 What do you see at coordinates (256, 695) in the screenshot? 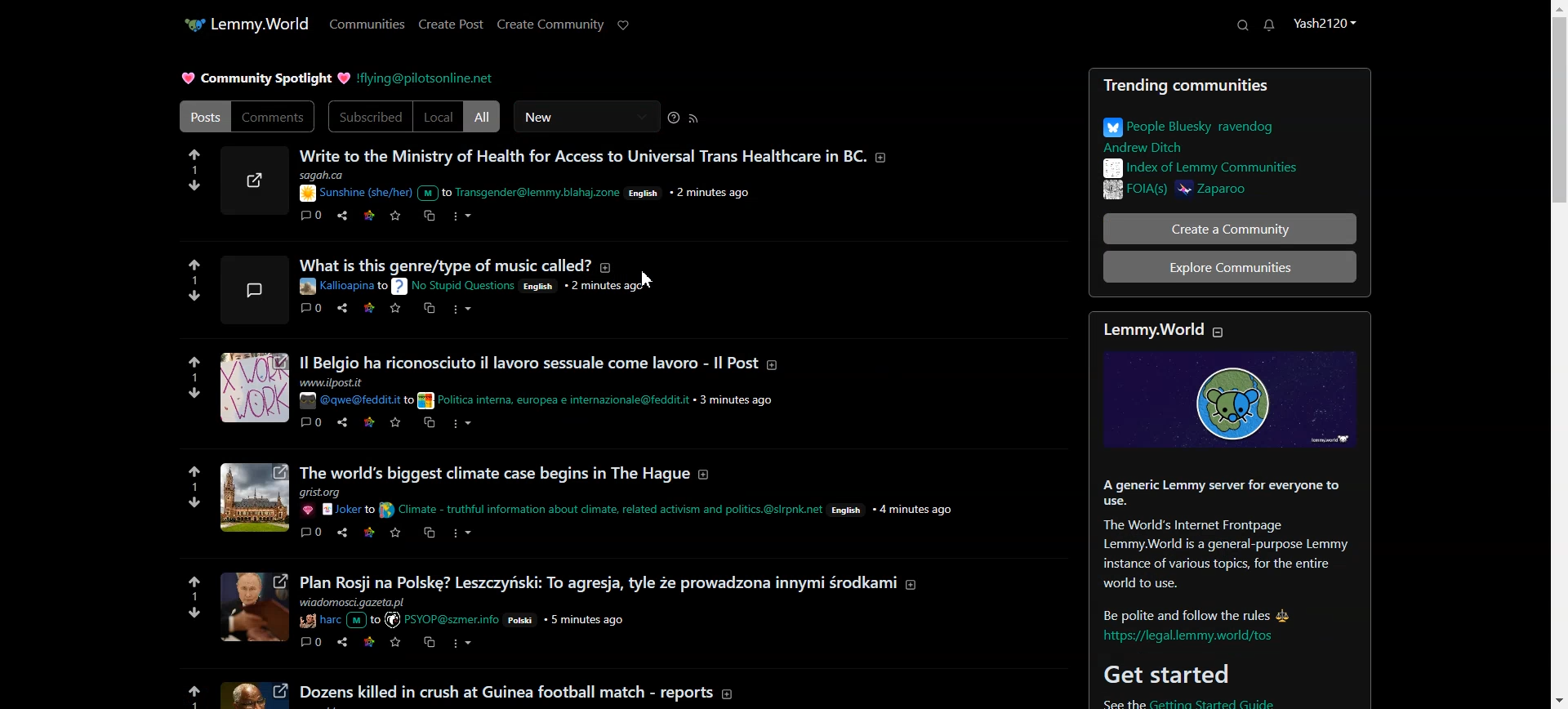
I see `Image` at bounding box center [256, 695].